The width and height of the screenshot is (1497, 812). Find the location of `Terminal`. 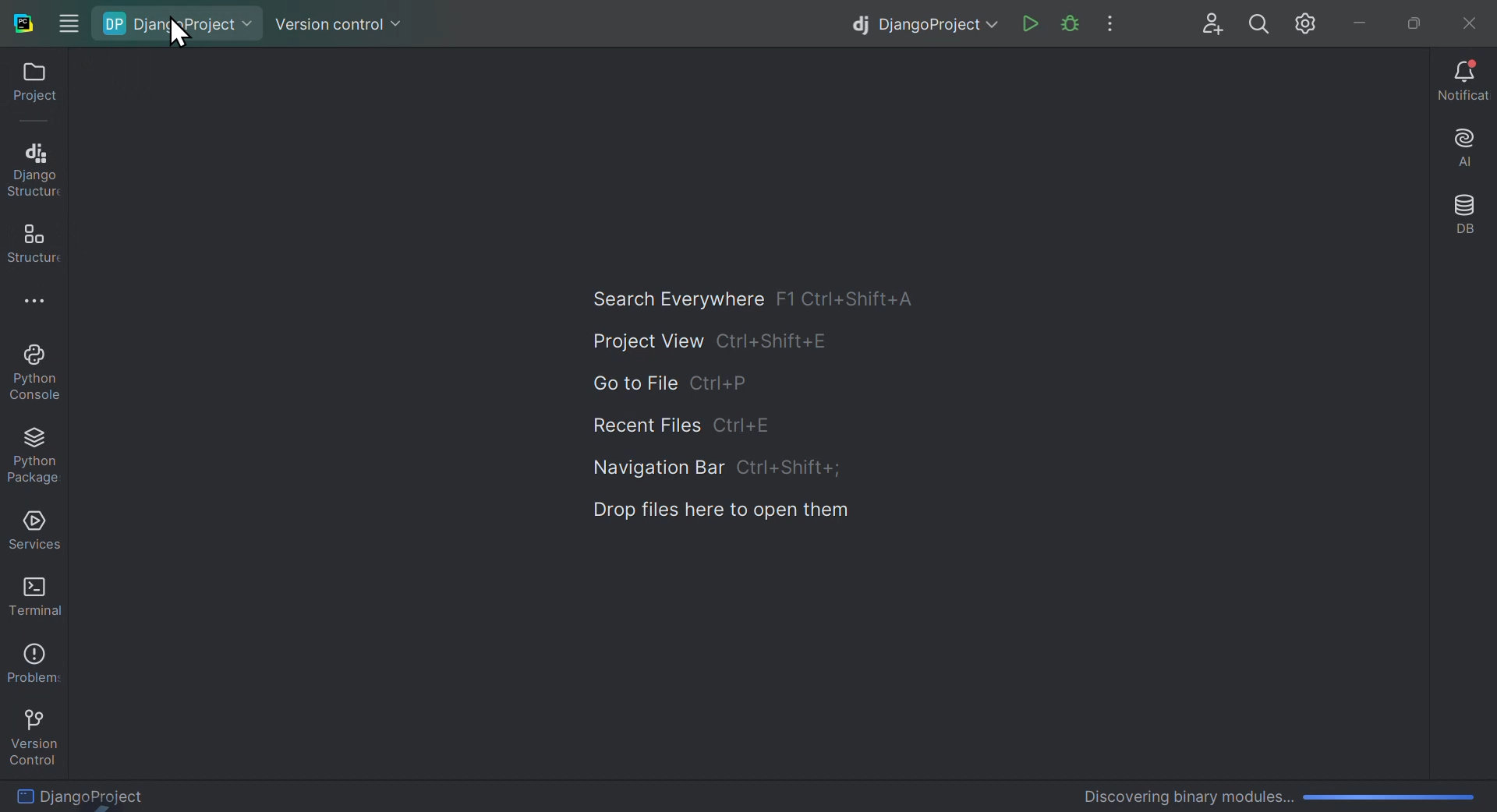

Terminal is located at coordinates (30, 595).